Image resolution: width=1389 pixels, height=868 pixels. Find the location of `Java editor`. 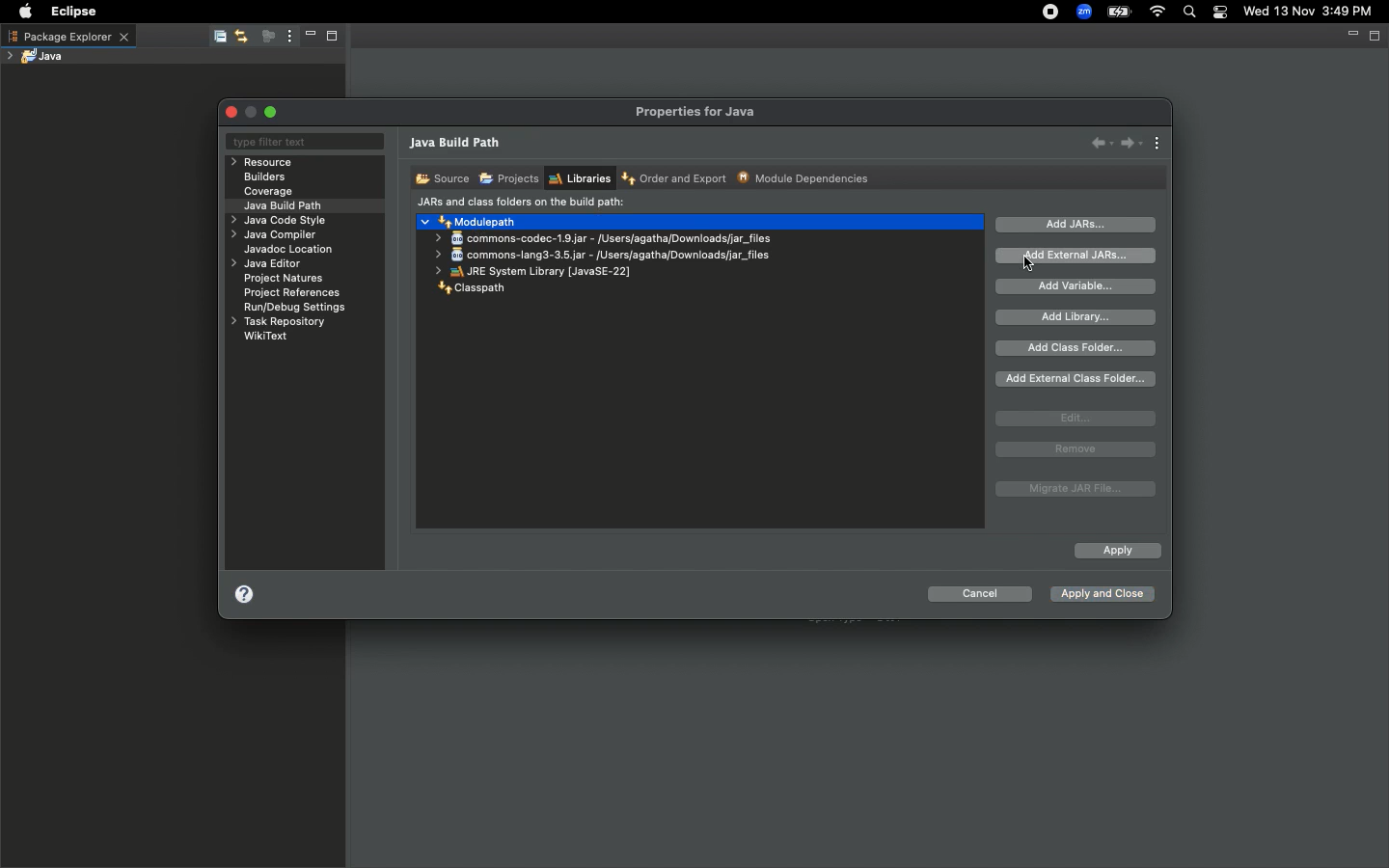

Java editor is located at coordinates (269, 264).